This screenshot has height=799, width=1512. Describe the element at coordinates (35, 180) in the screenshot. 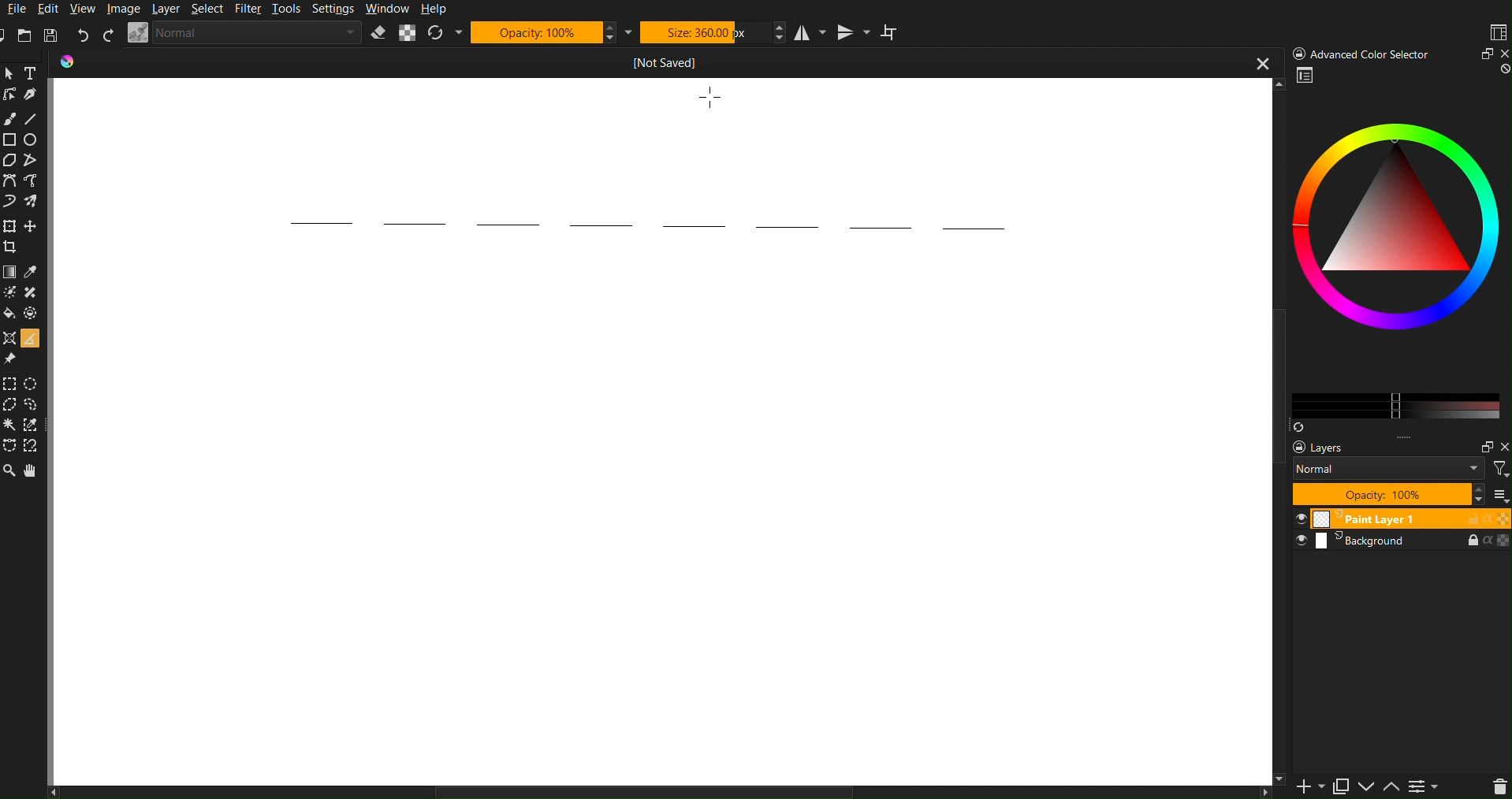

I see `Bezier Curve` at that location.